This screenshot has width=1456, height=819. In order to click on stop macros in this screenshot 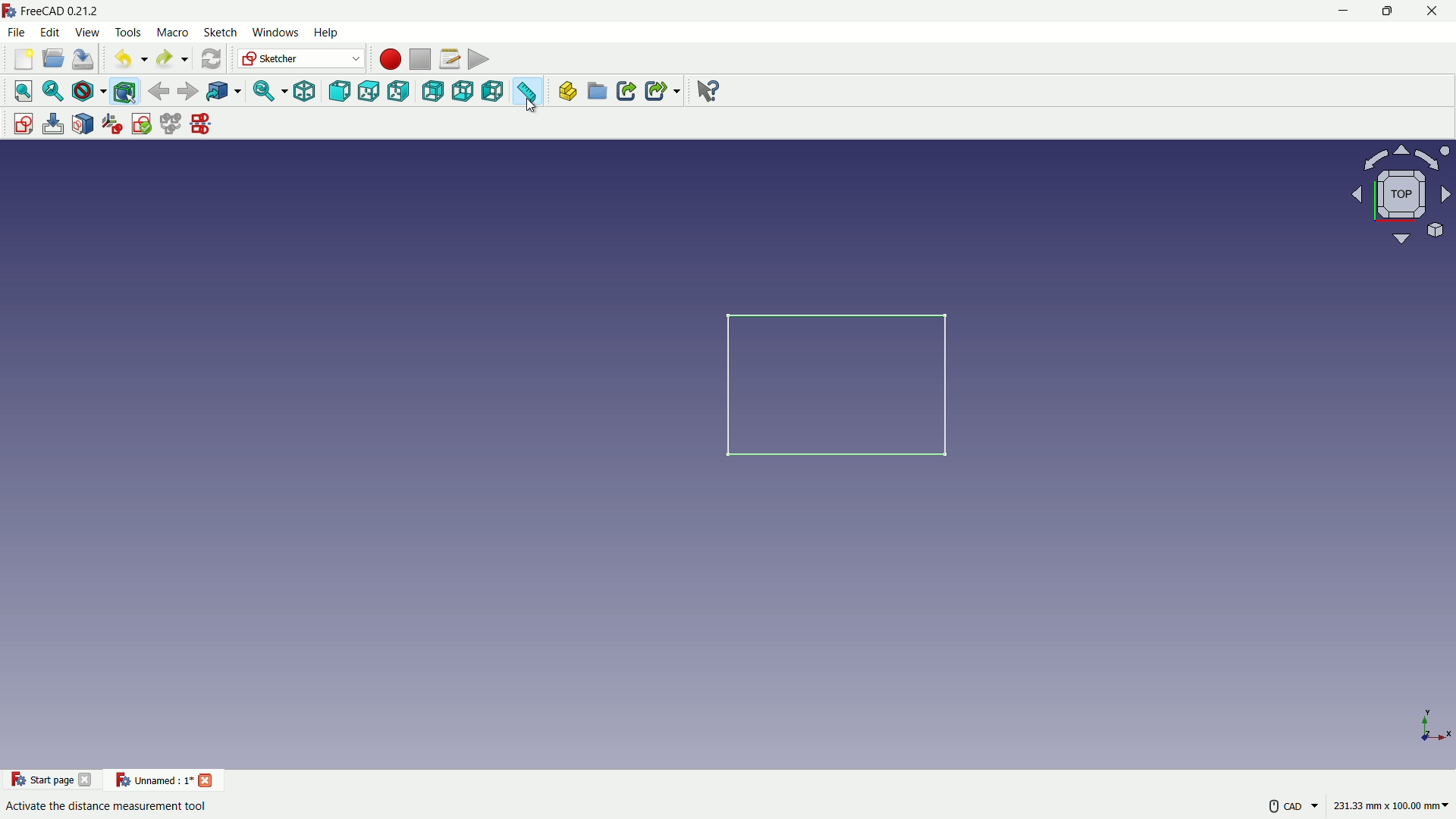, I will do `click(418, 60)`.